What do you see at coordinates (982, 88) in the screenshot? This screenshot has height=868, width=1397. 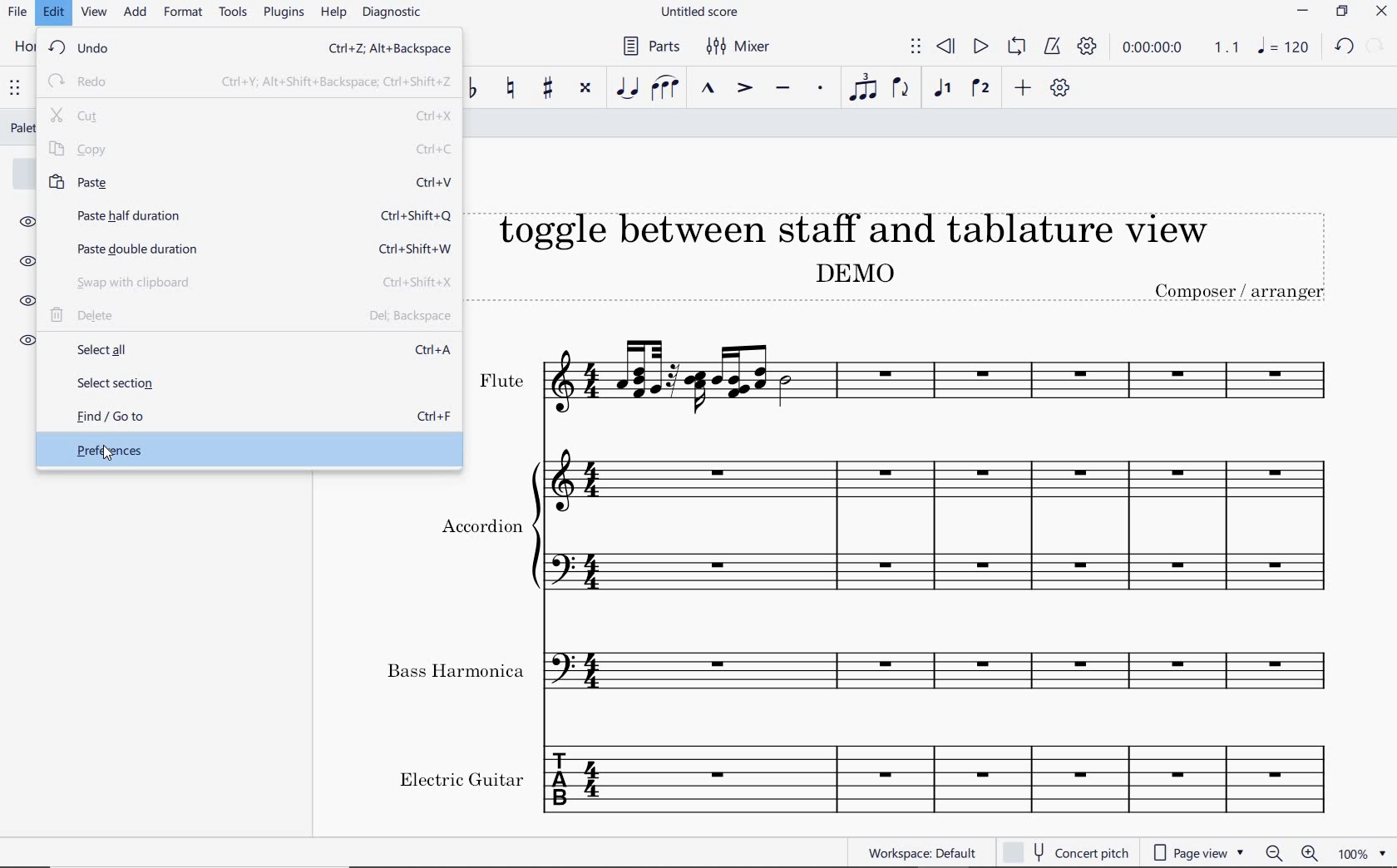 I see `voice 2` at bounding box center [982, 88].